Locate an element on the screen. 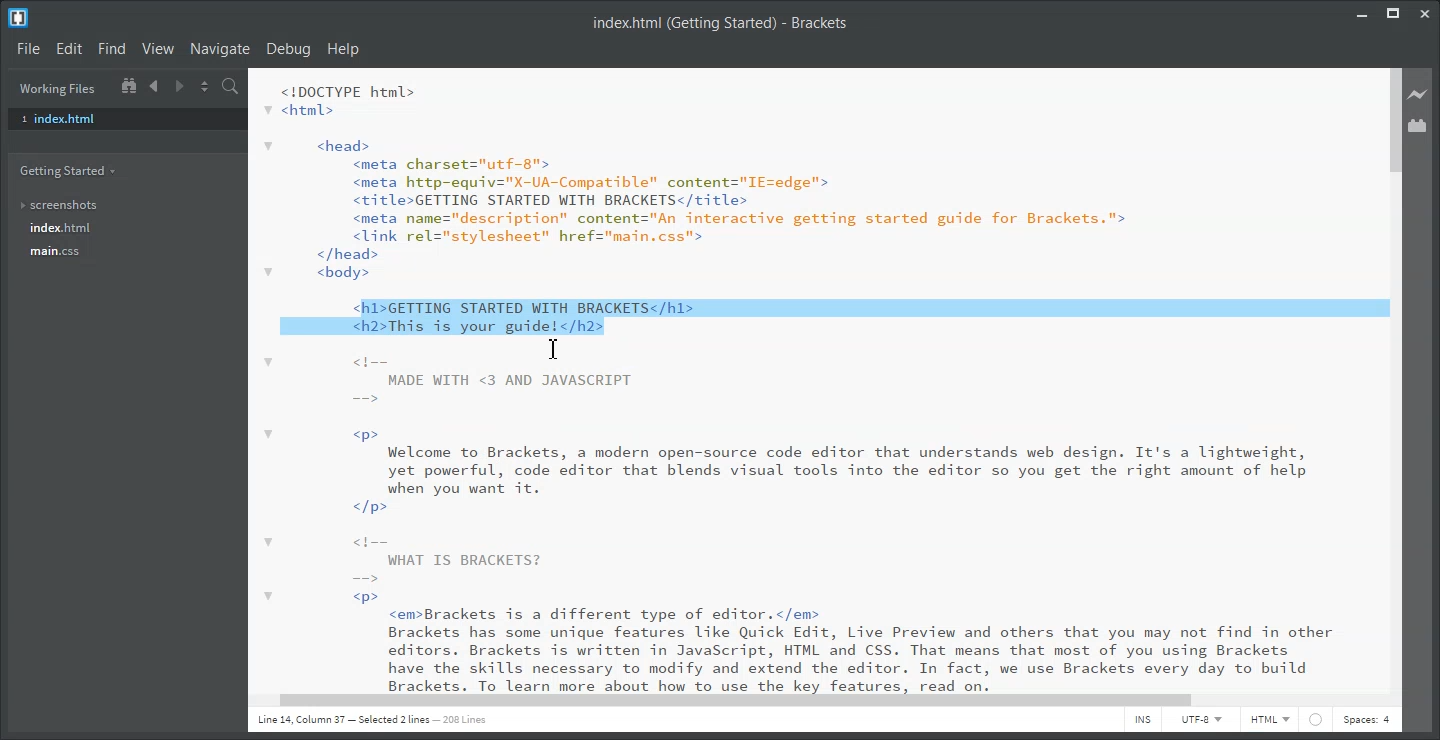 Image resolution: width=1440 pixels, height=740 pixels. Navigate Forwards is located at coordinates (180, 86).